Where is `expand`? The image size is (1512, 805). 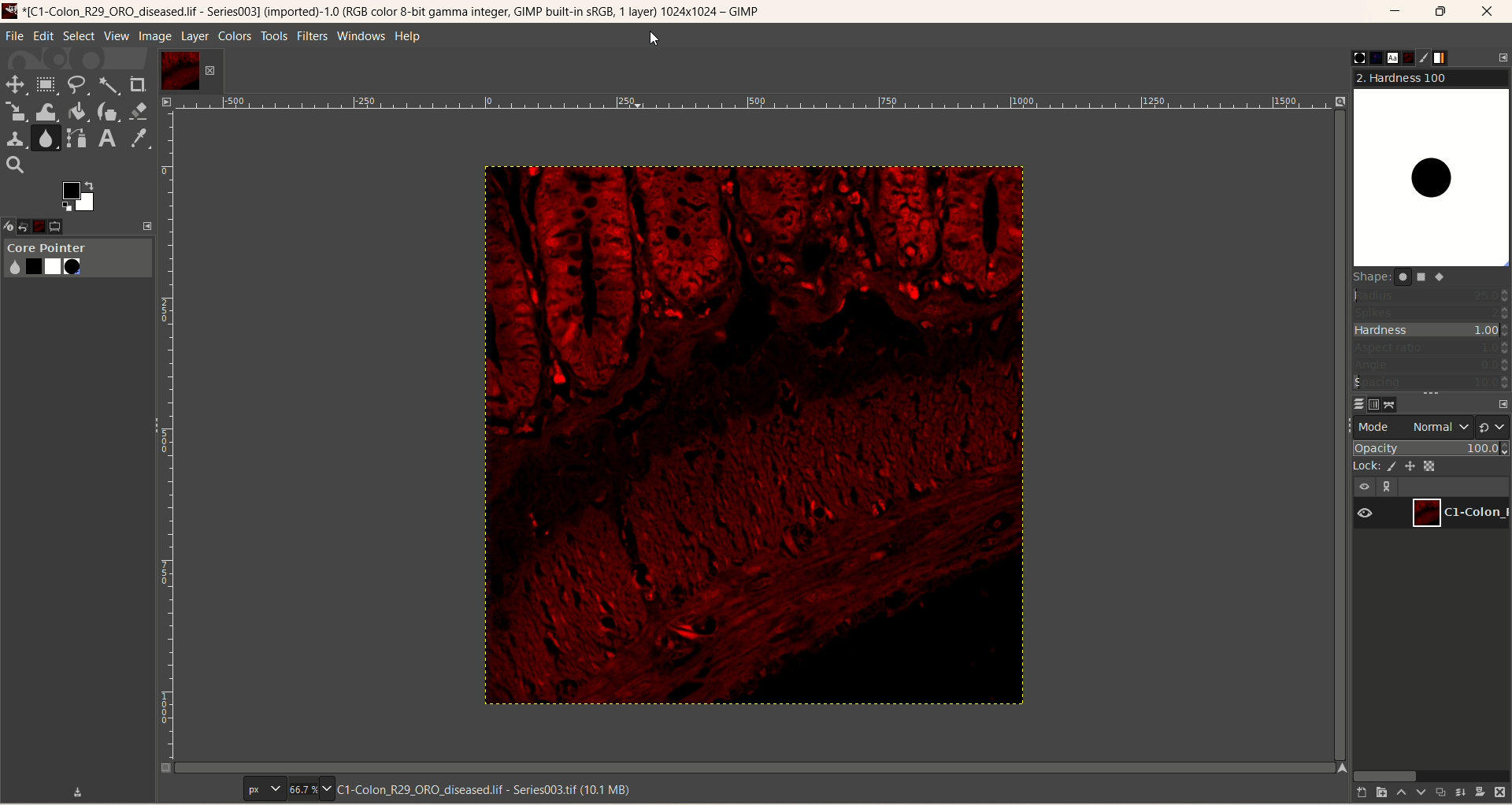 expand is located at coordinates (148, 225).